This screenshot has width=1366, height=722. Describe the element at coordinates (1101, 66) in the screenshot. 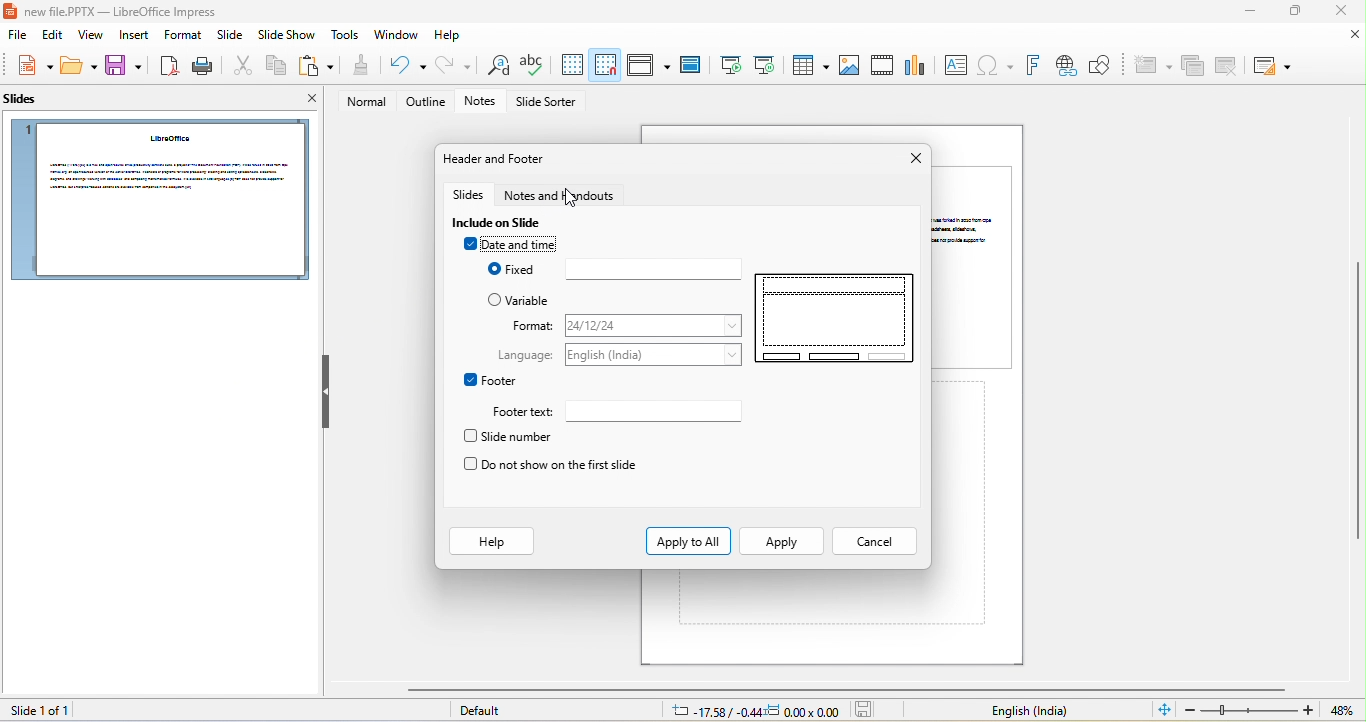

I see `how draw function` at that location.